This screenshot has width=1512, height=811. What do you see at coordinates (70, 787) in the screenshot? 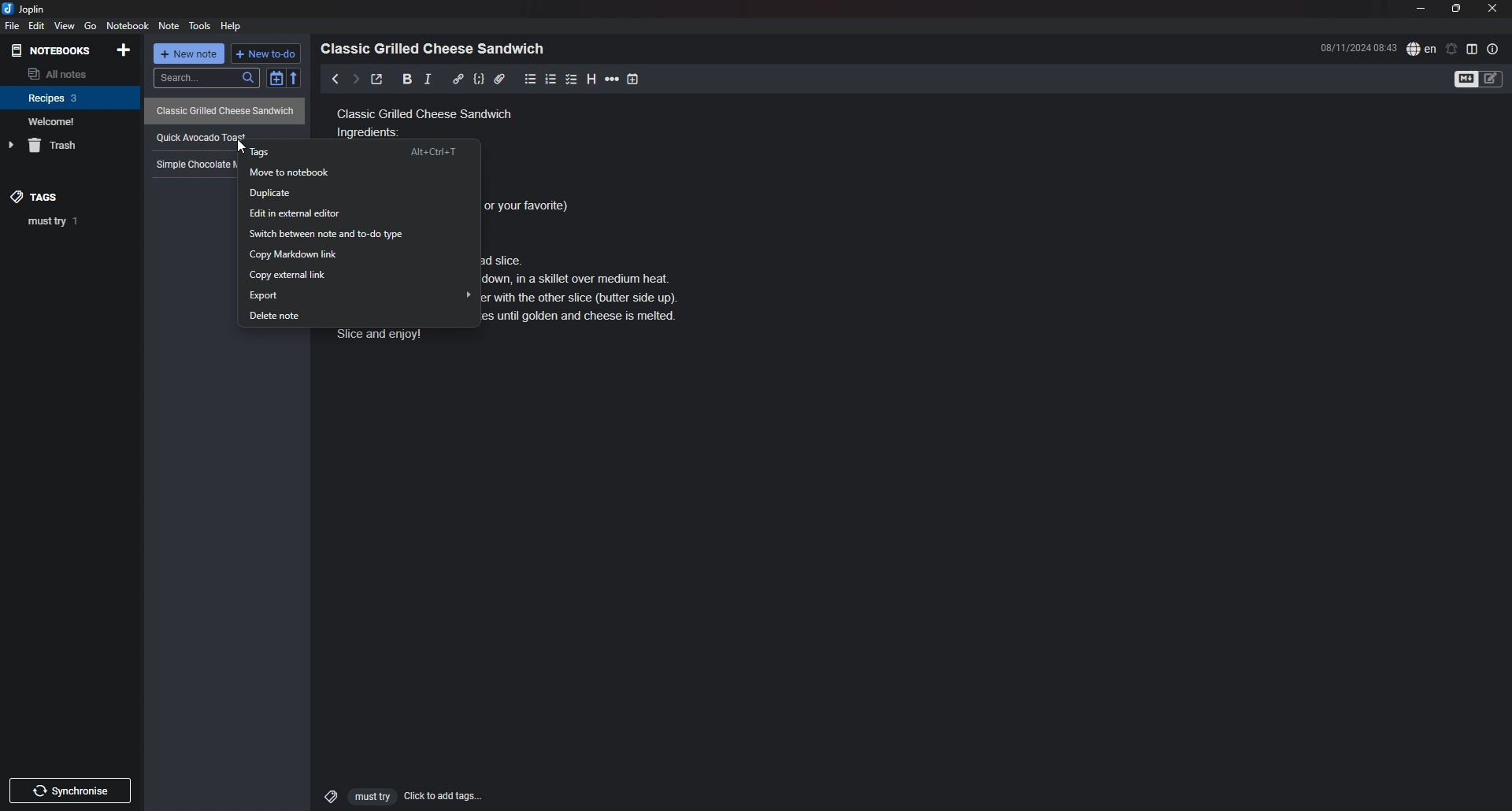
I see `` at bounding box center [70, 787].